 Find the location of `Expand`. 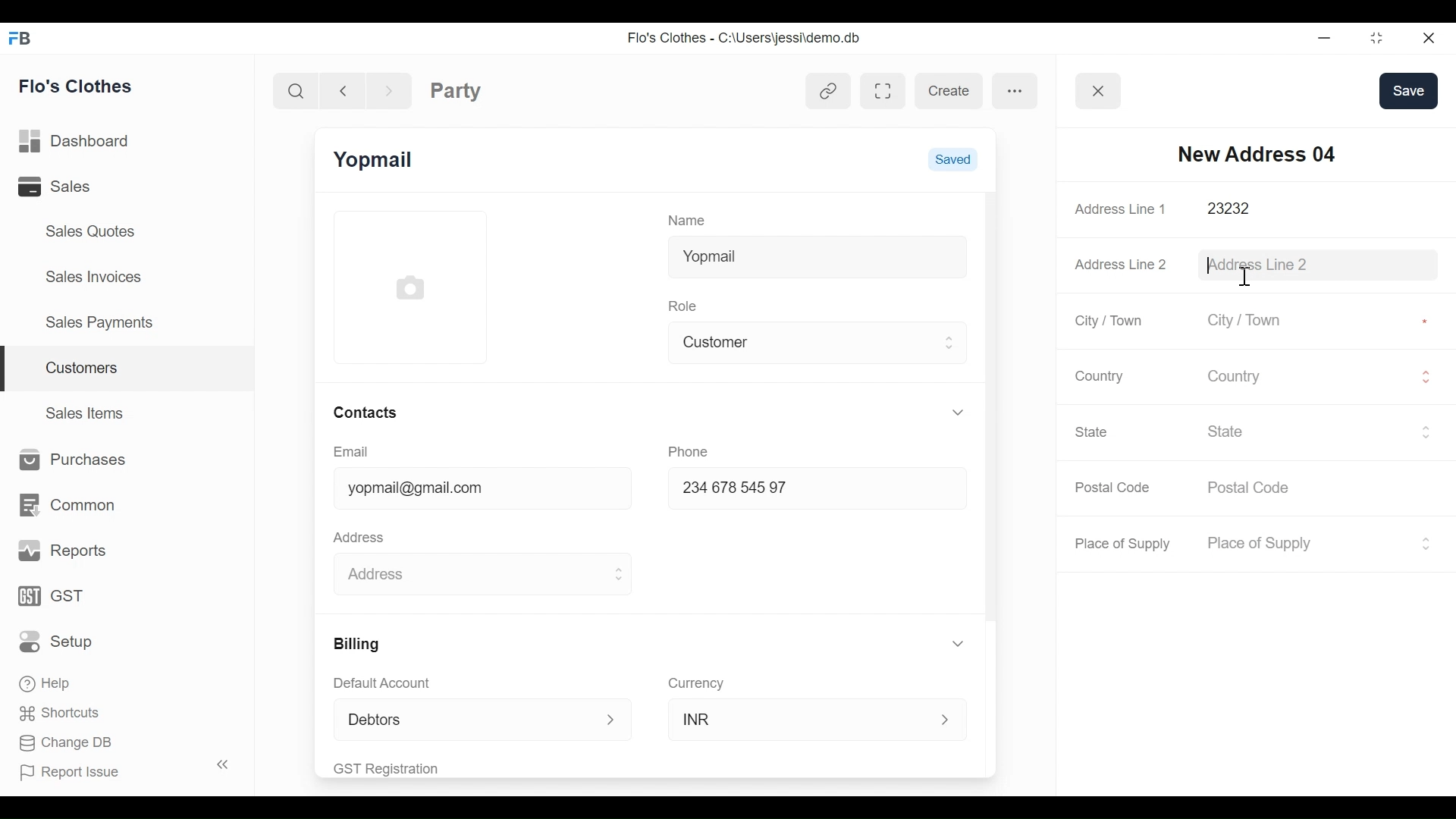

Expand is located at coordinates (951, 342).